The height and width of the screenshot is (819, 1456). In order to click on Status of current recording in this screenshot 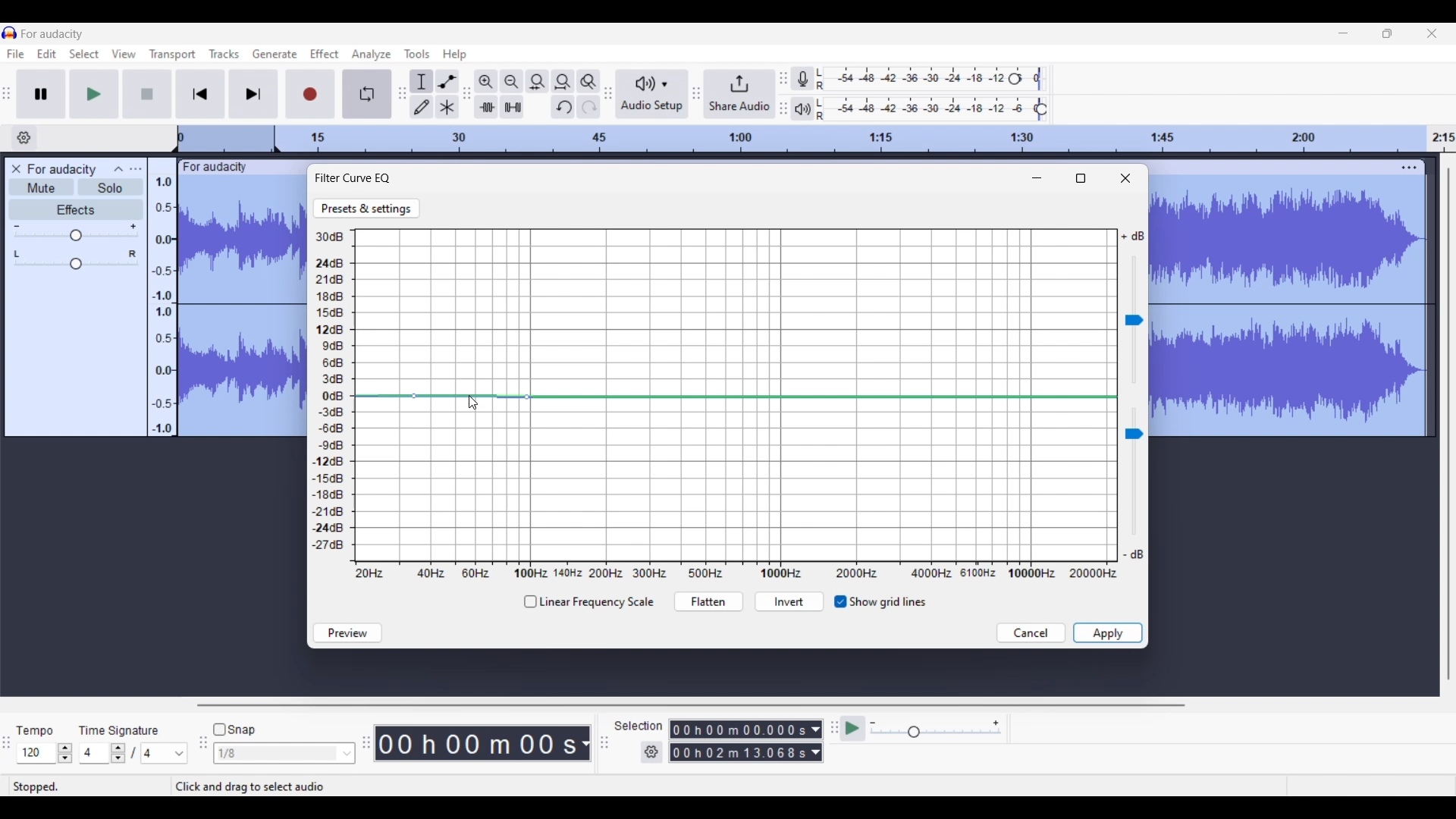, I will do `click(88, 787)`.